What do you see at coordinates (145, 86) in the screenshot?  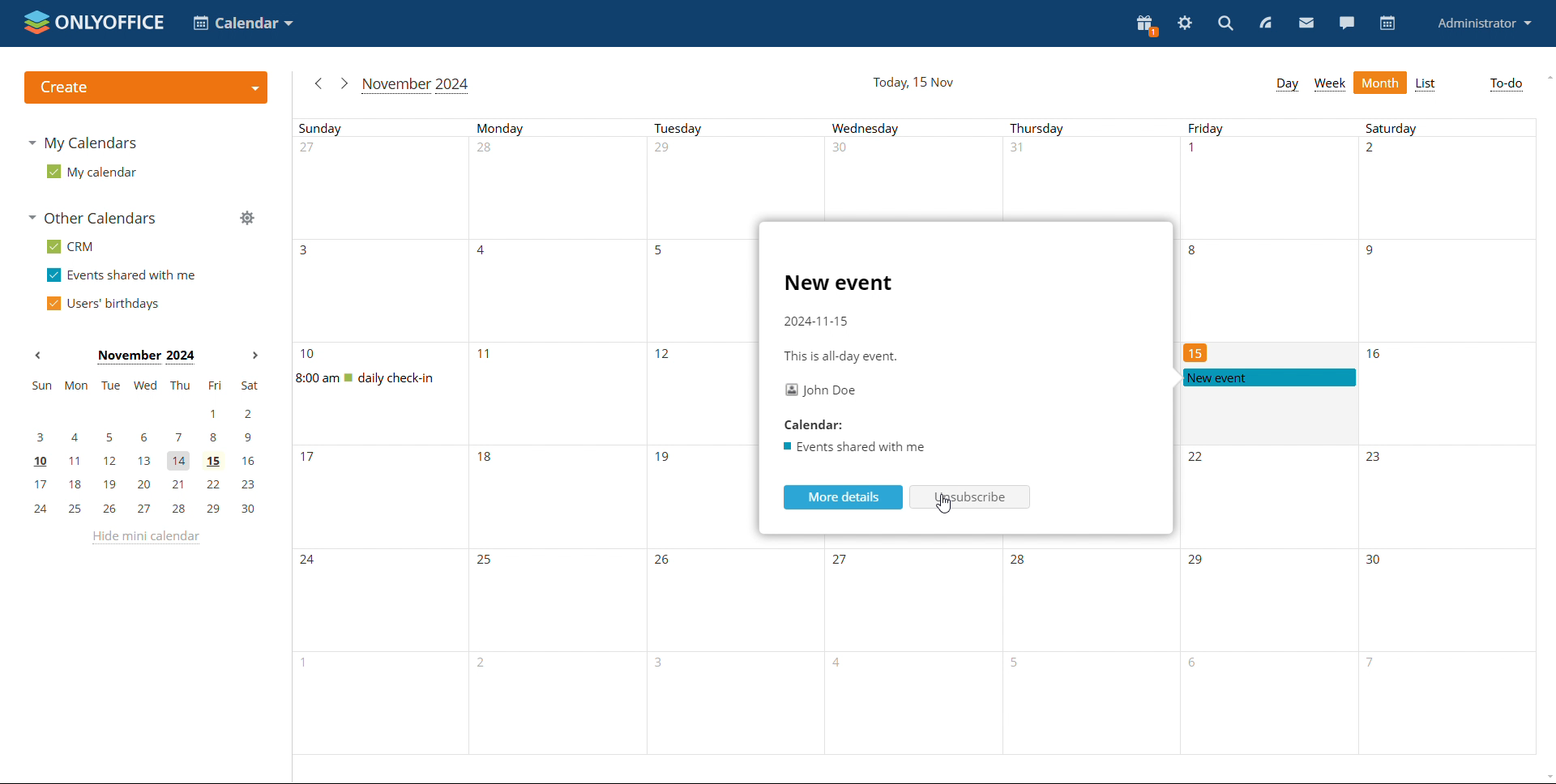 I see `create` at bounding box center [145, 86].